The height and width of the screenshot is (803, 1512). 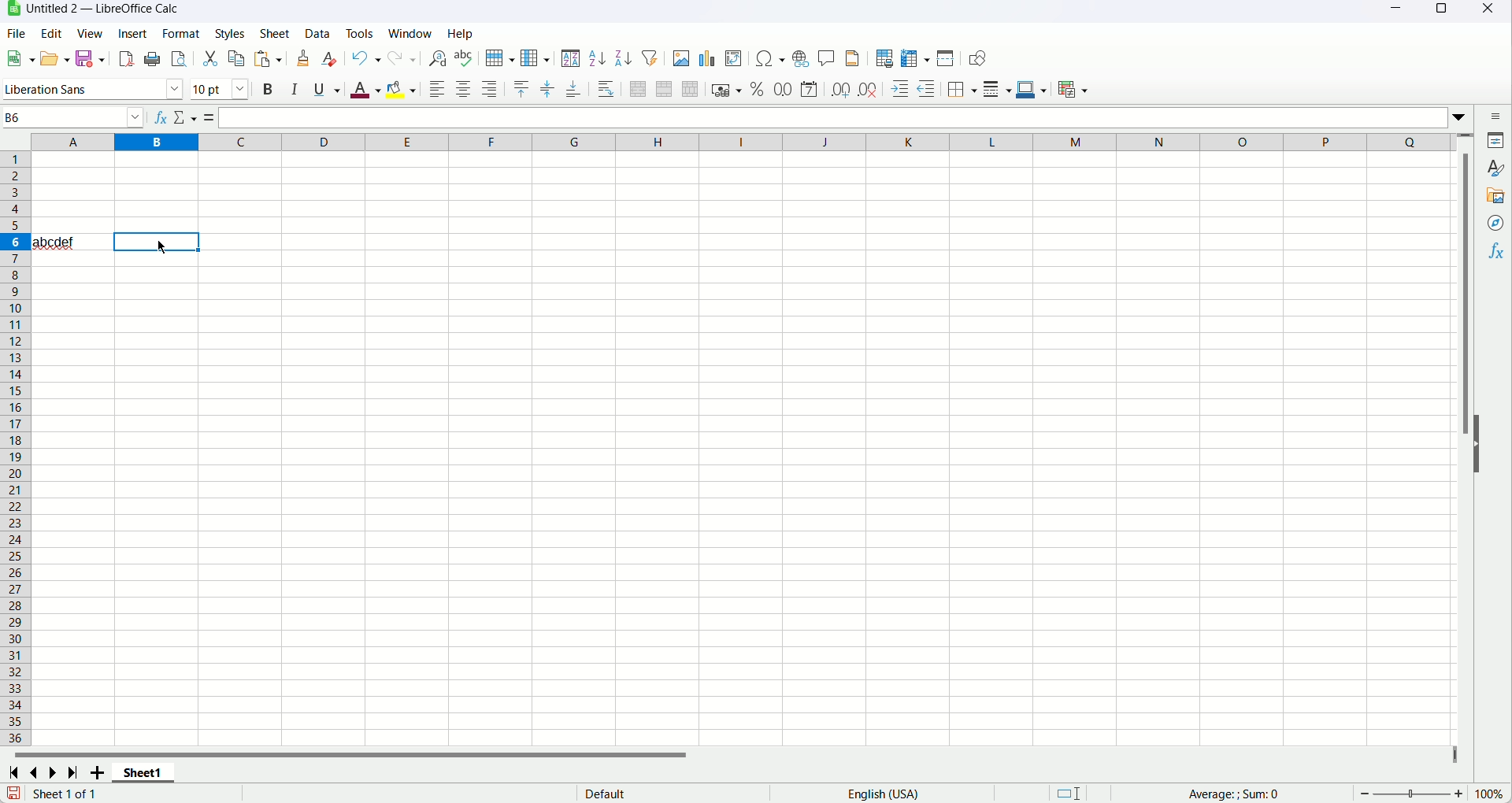 I want to click on column, so click(x=741, y=142).